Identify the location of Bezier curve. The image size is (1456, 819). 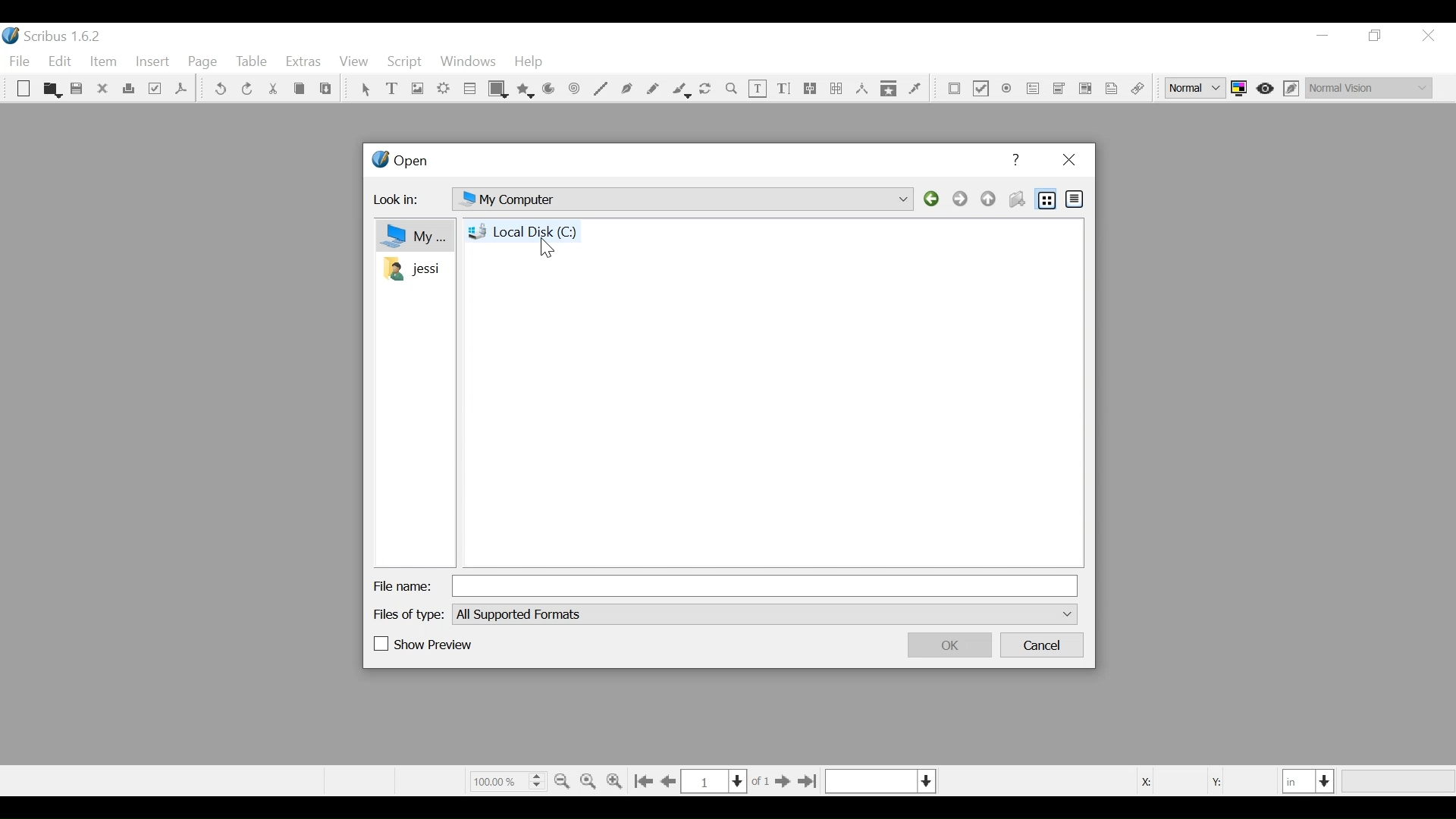
(627, 89).